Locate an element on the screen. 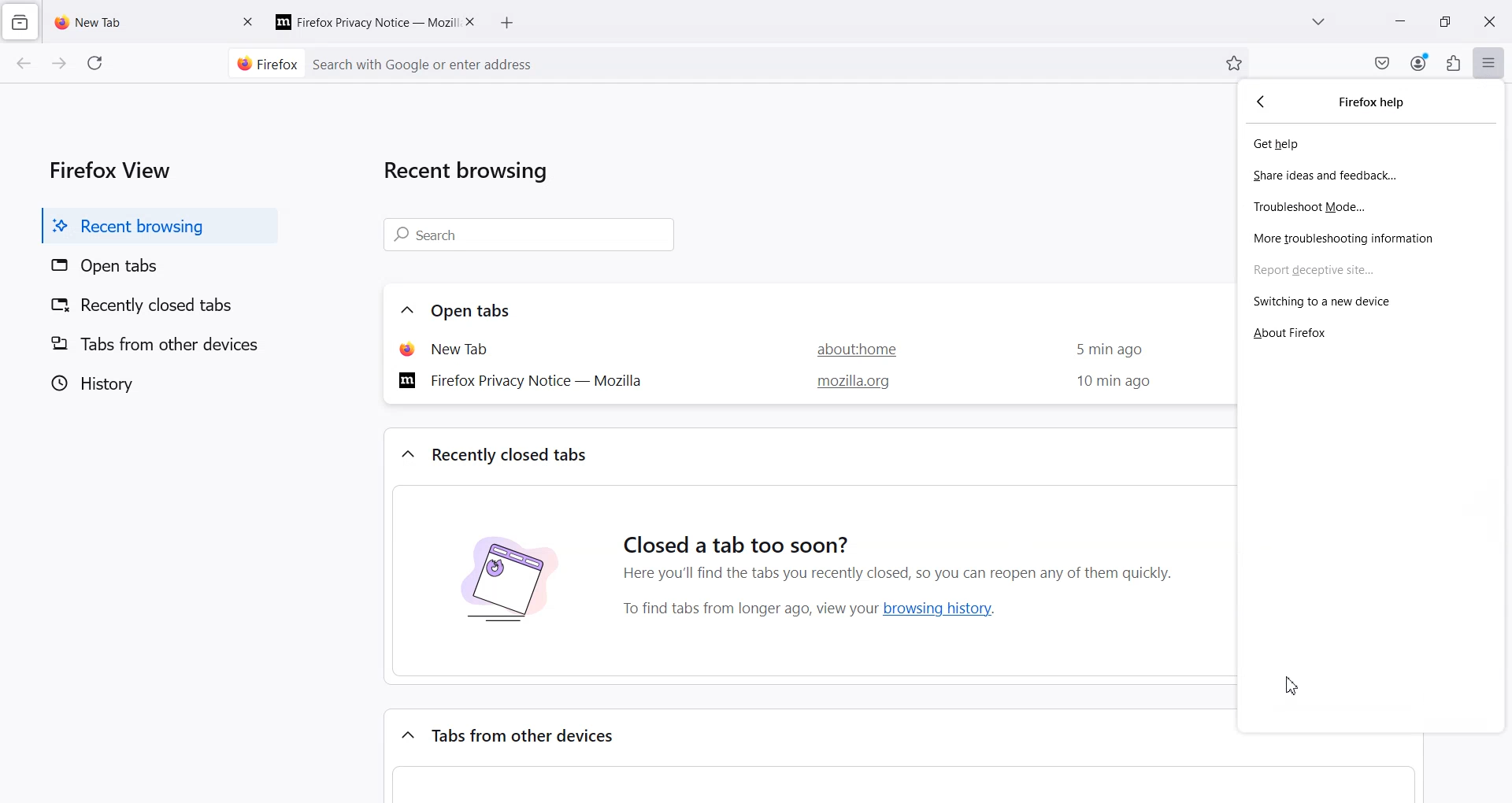 Image resolution: width=1512 pixels, height=803 pixels. Close Tab is located at coordinates (472, 20).